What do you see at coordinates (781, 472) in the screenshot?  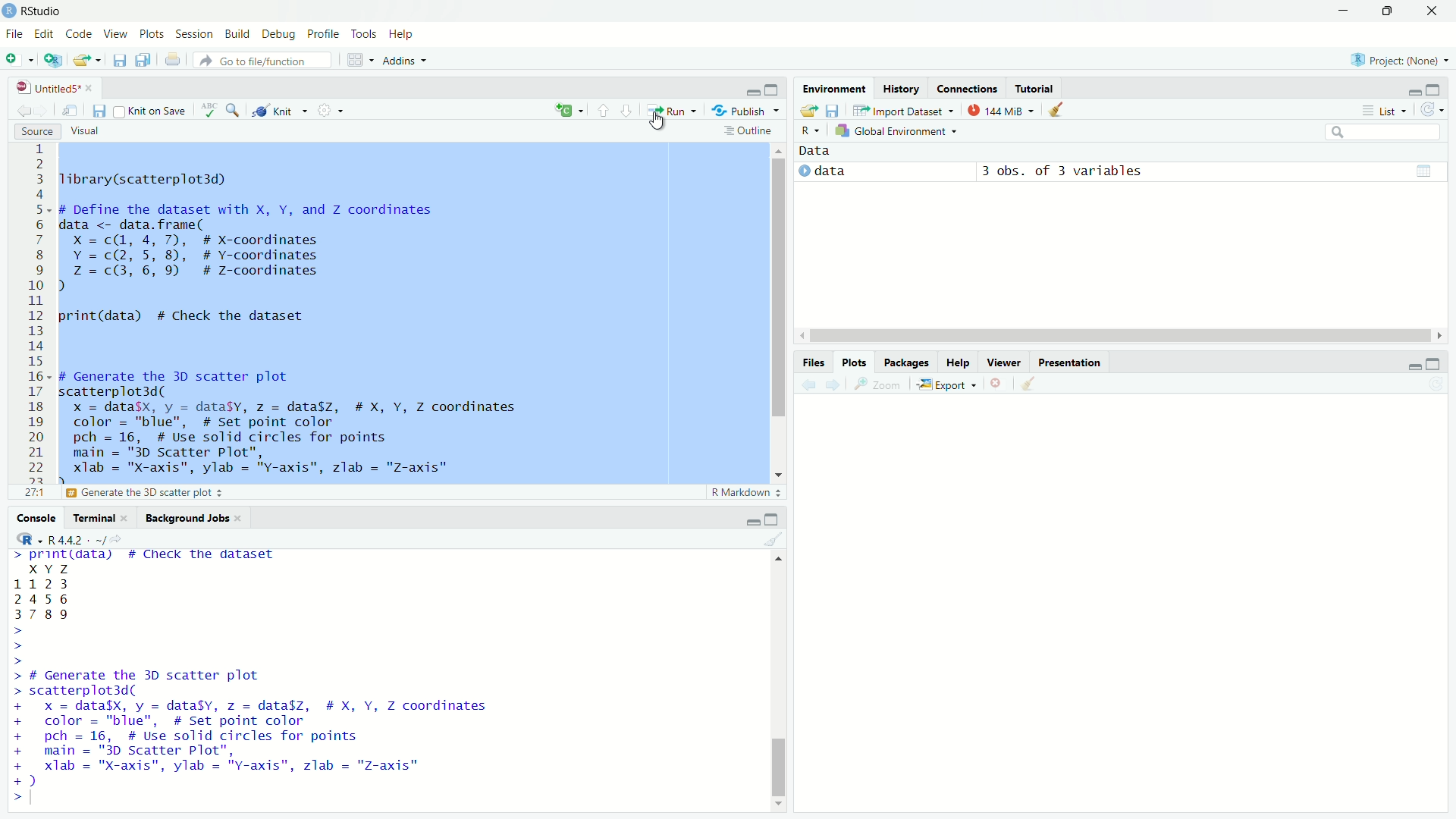 I see `move down` at bounding box center [781, 472].